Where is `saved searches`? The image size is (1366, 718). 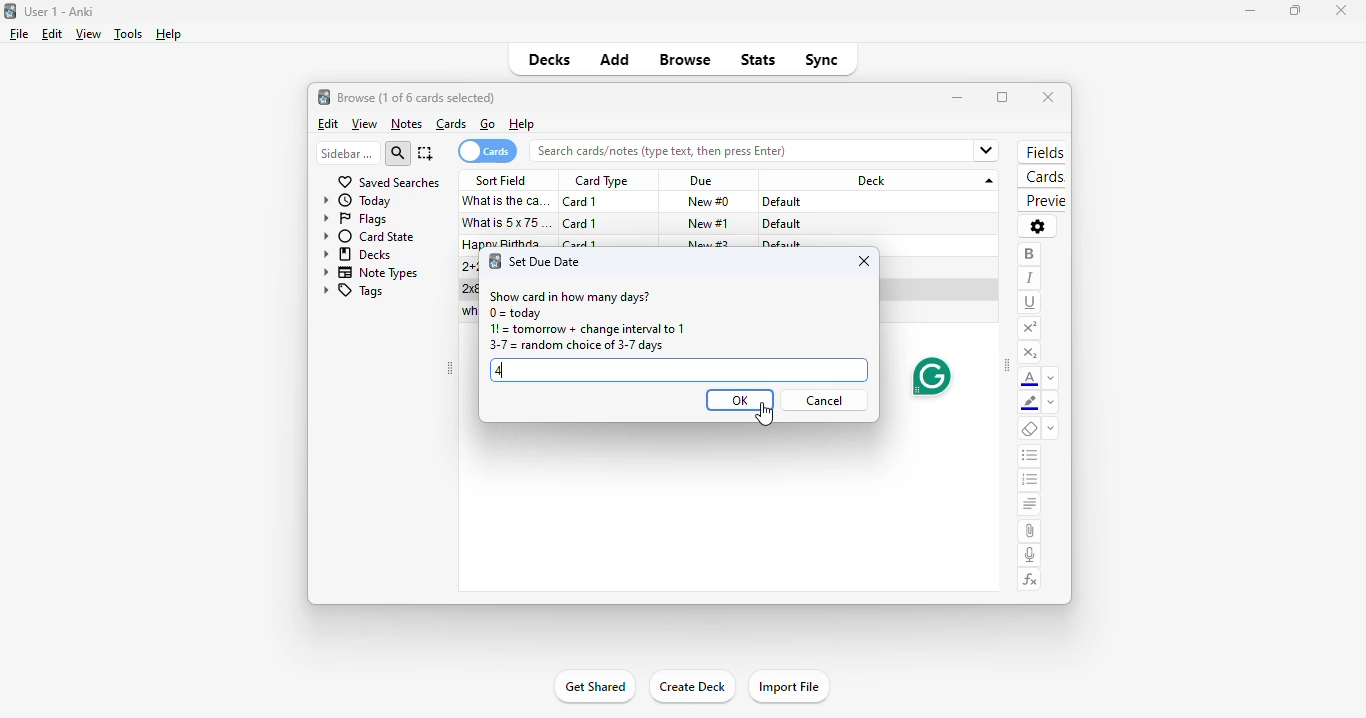
saved searches is located at coordinates (388, 182).